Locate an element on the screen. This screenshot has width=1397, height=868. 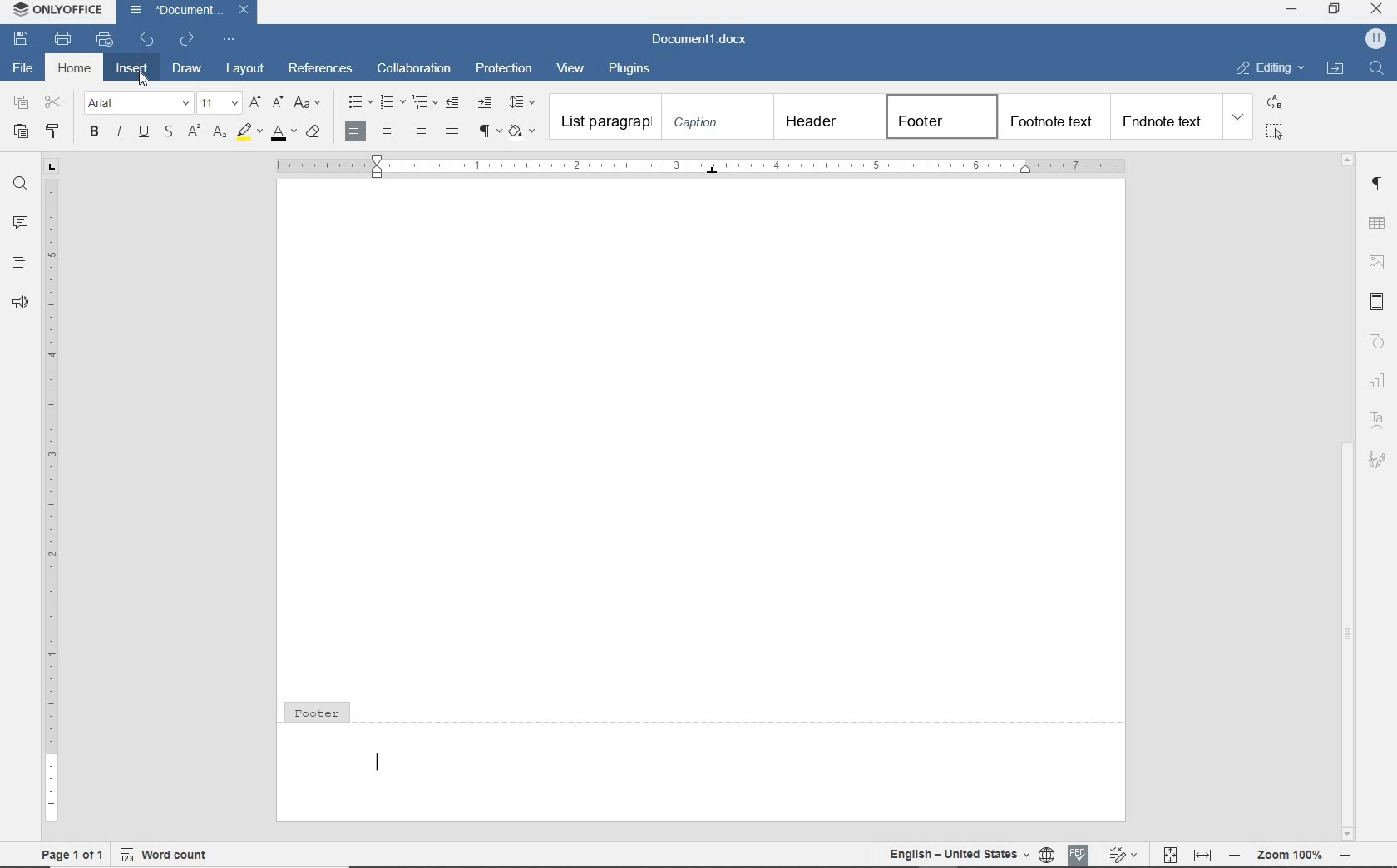
change case is located at coordinates (308, 105).